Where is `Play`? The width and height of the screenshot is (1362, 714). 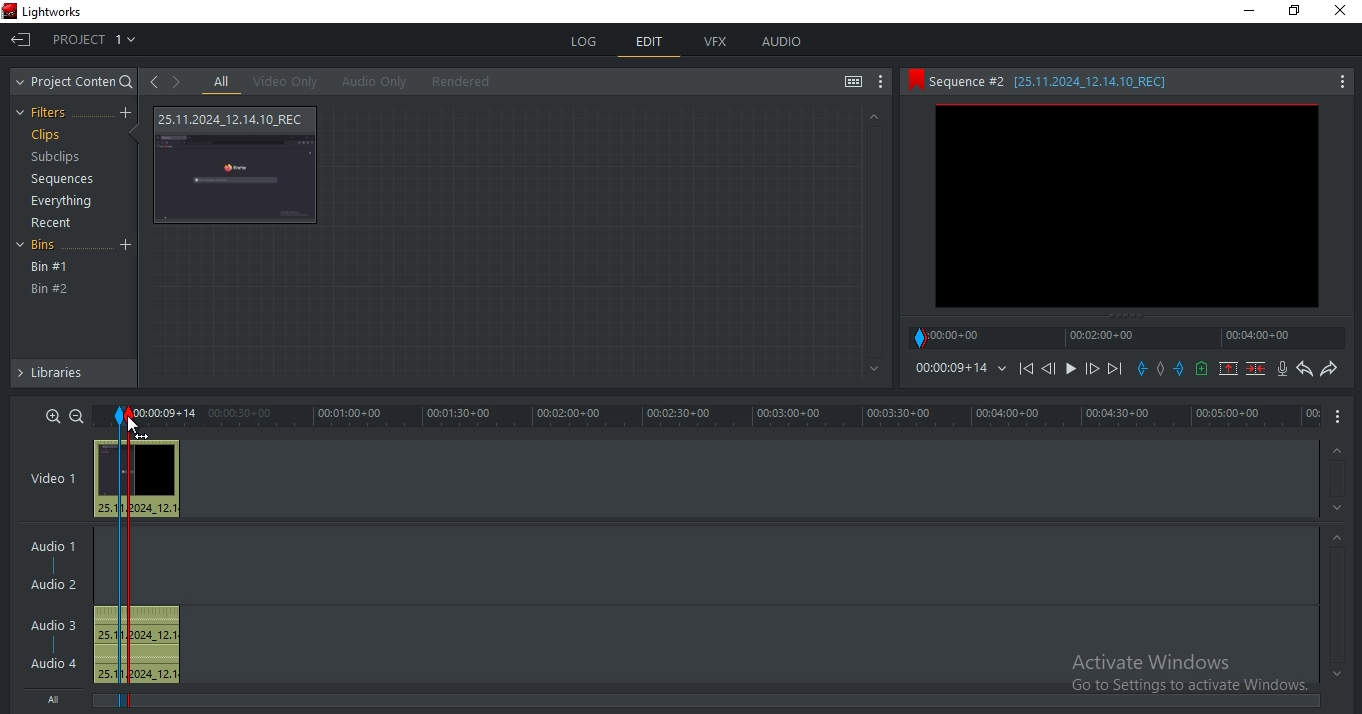
Play is located at coordinates (1071, 368).